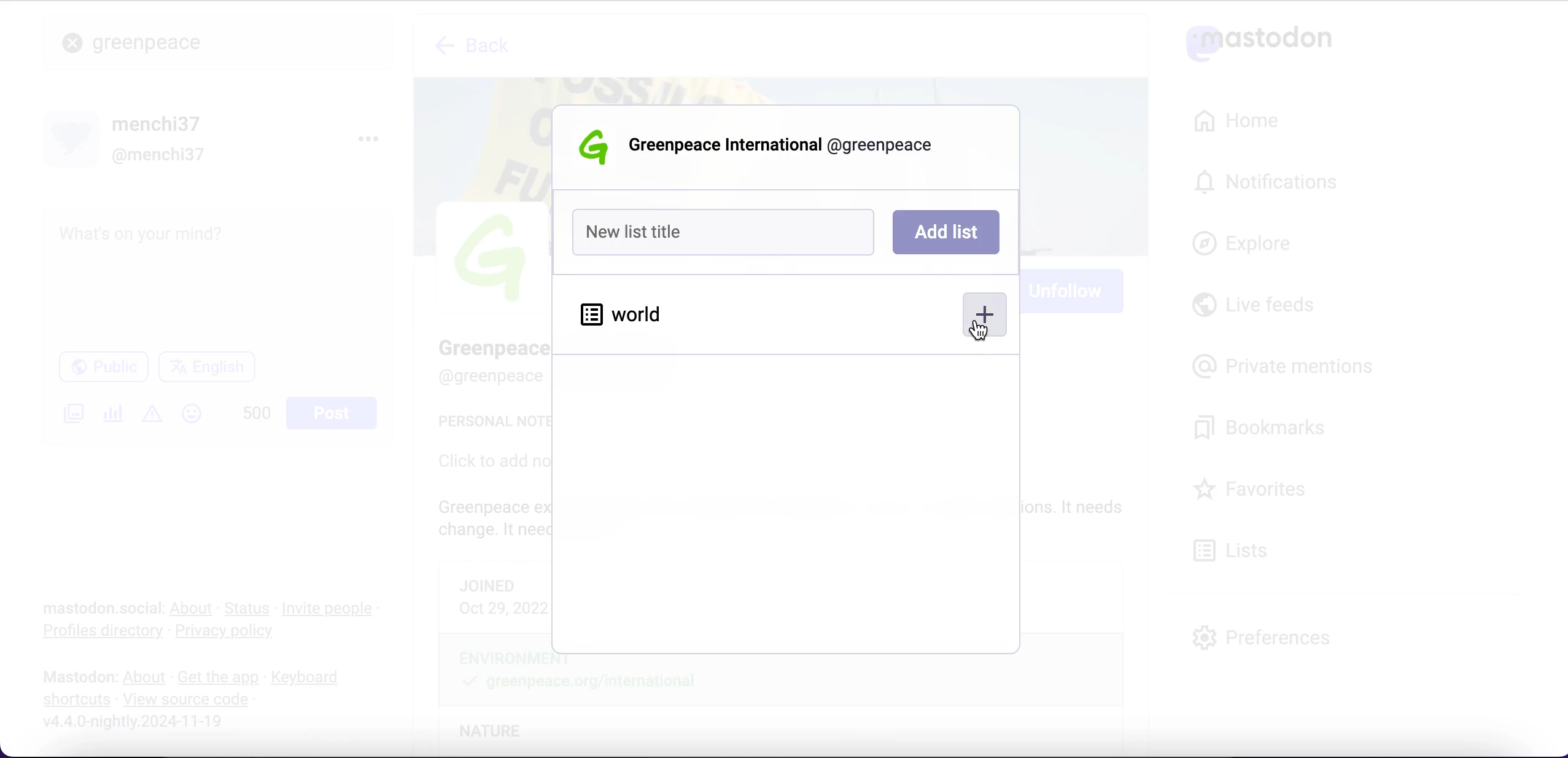 This screenshot has width=1568, height=758. What do you see at coordinates (249, 608) in the screenshot?
I see `status` at bounding box center [249, 608].